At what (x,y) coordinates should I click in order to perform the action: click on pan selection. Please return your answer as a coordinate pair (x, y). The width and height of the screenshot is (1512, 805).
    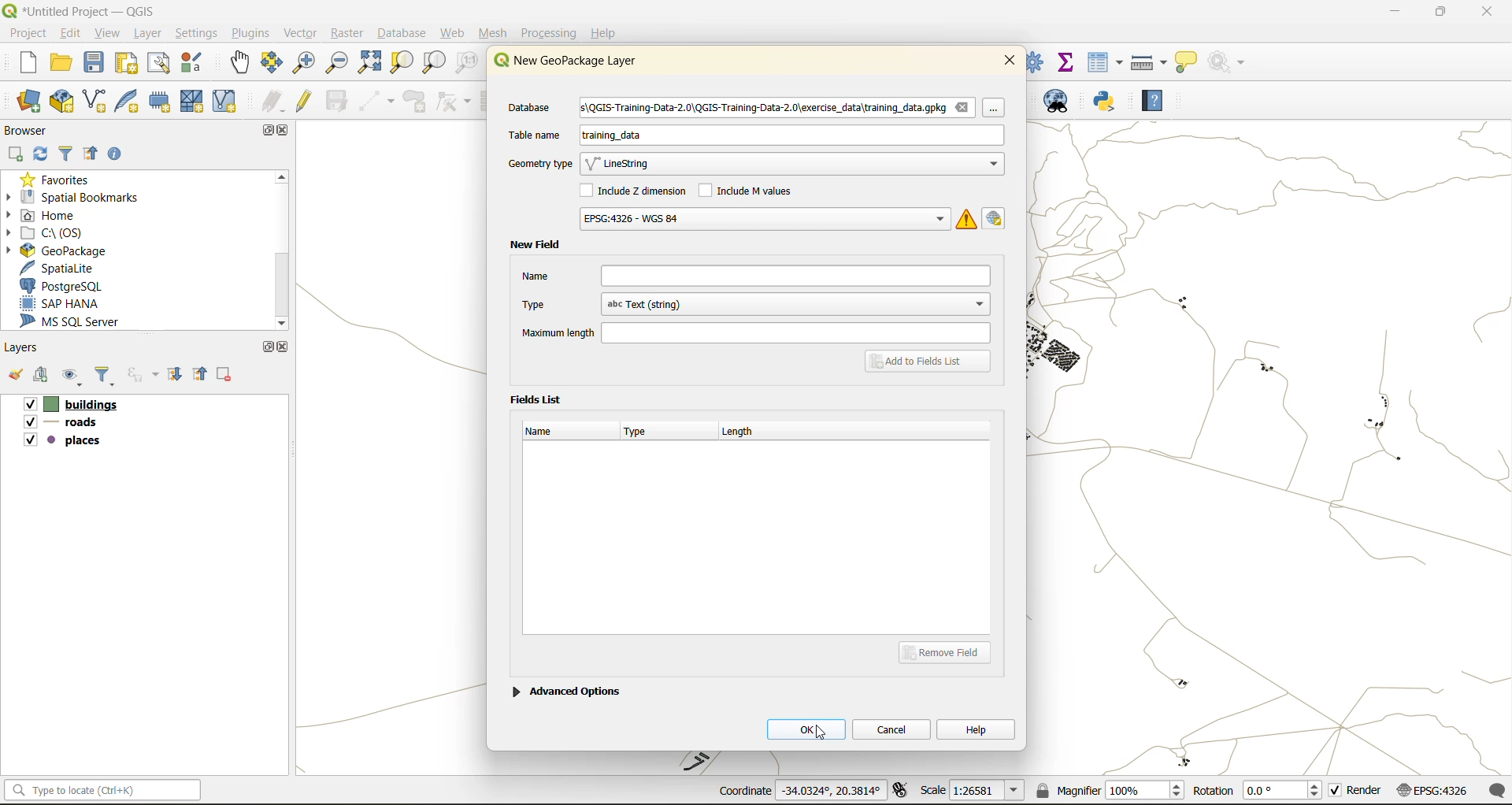
    Looking at the image, I should click on (272, 63).